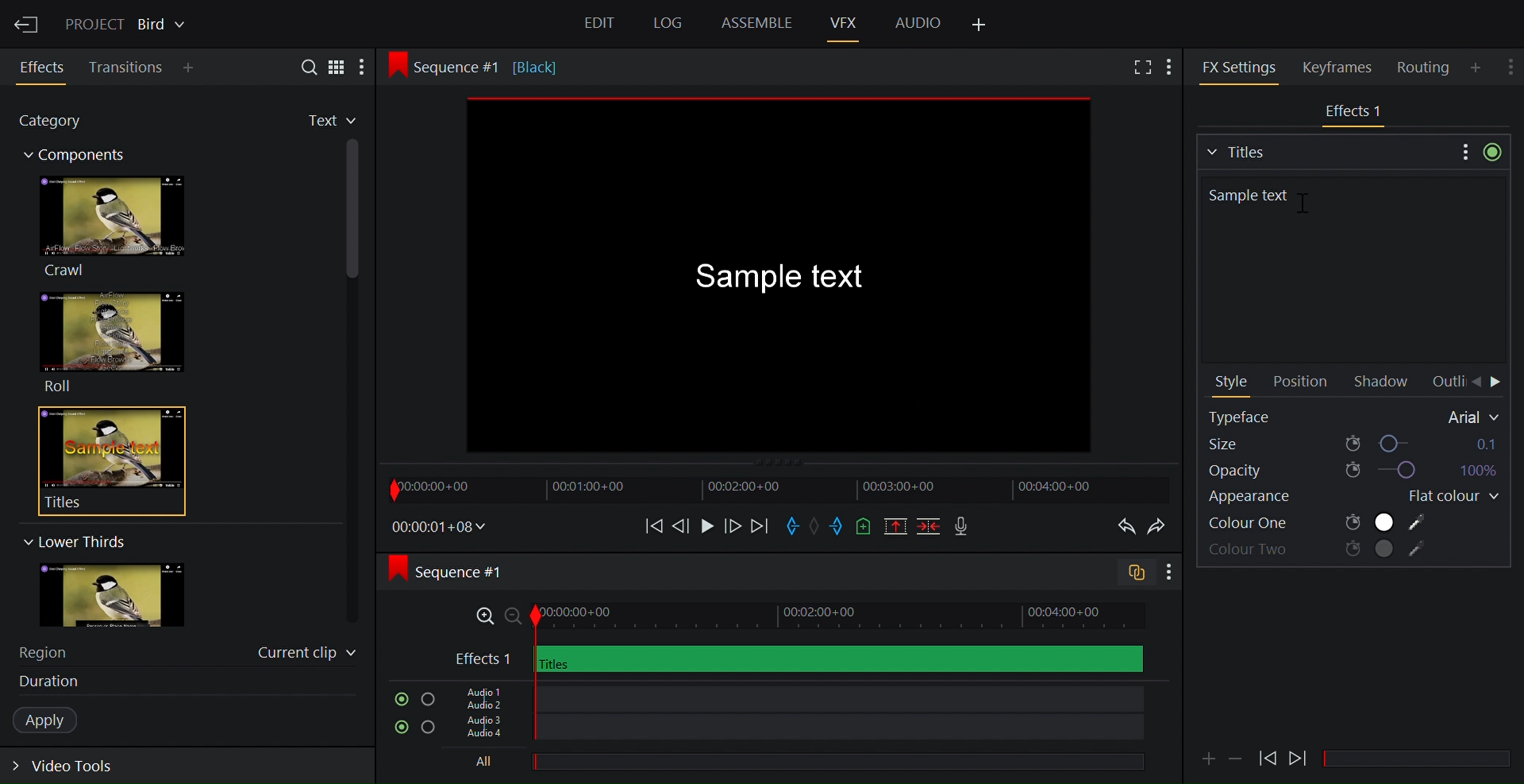 This screenshot has height=784, width=1524. What do you see at coordinates (127, 67) in the screenshot?
I see `Transition` at bounding box center [127, 67].